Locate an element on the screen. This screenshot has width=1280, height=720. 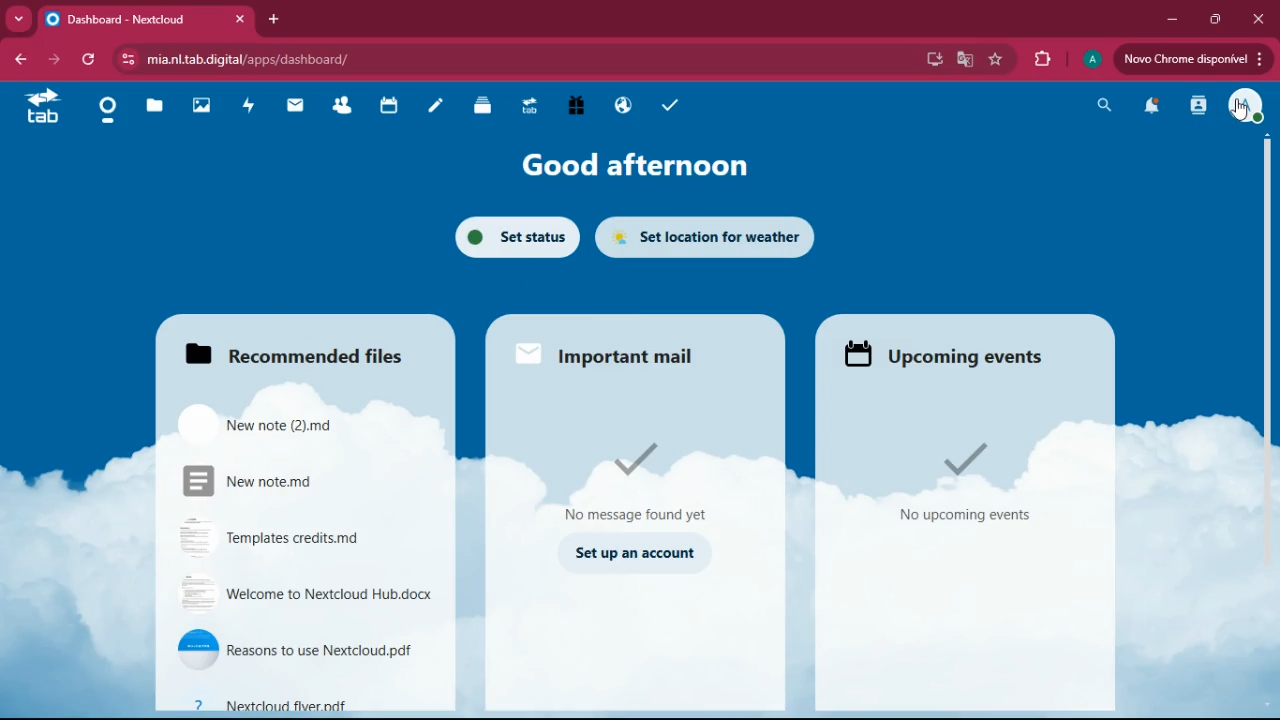
home is located at coordinates (109, 112).